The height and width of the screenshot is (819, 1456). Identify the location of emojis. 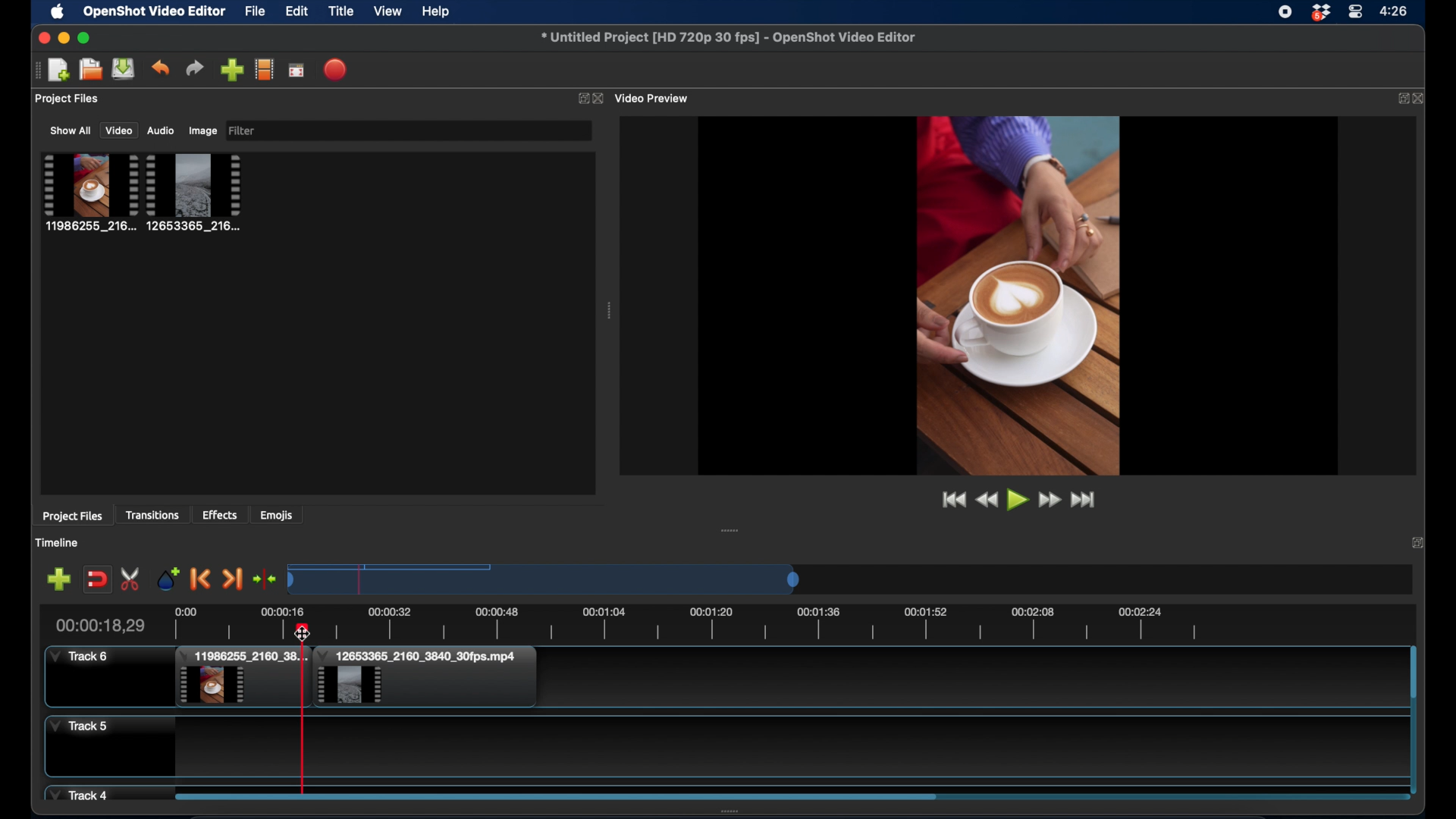
(277, 515).